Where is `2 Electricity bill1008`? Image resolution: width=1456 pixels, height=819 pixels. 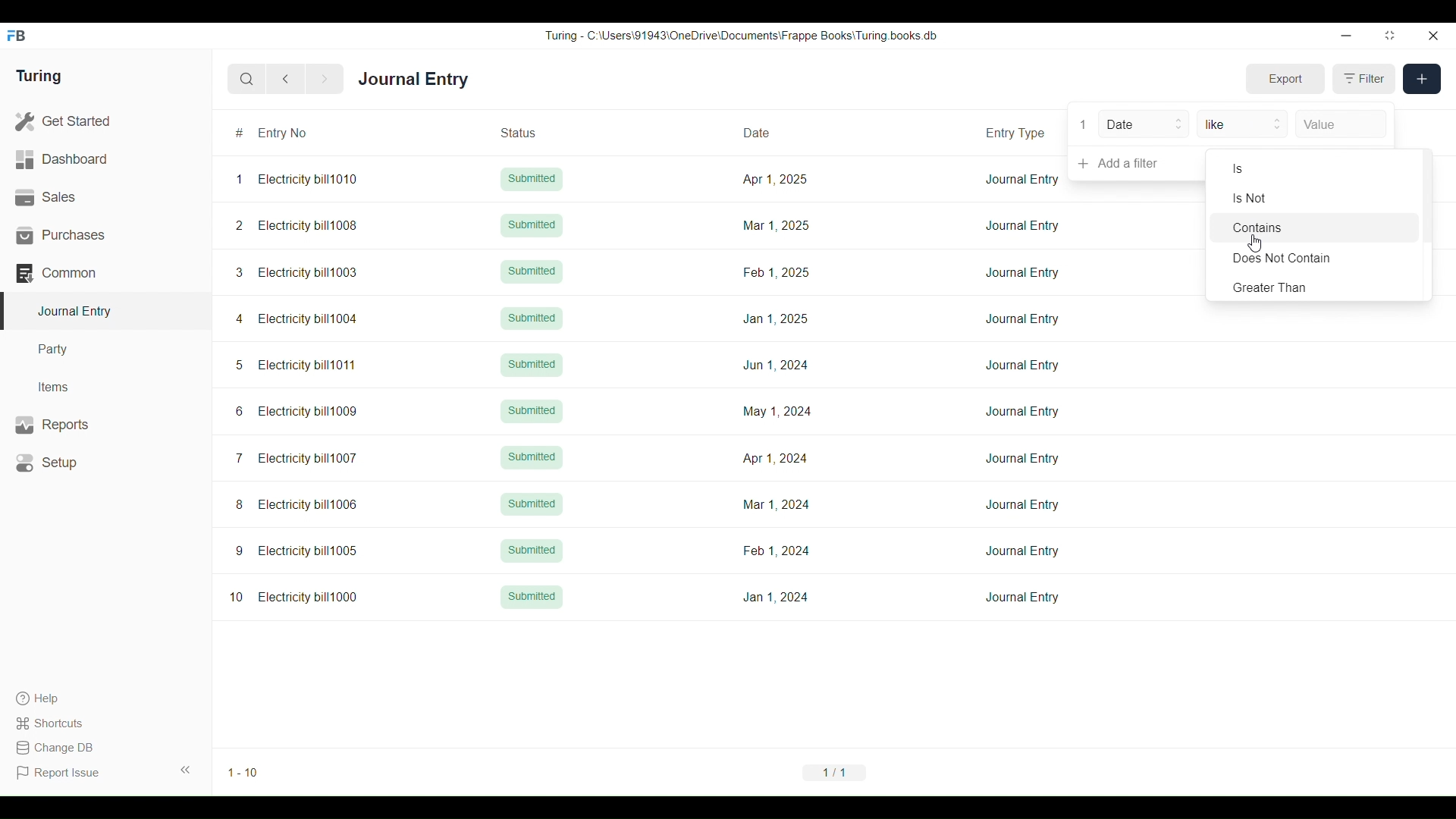 2 Electricity bill1008 is located at coordinates (297, 225).